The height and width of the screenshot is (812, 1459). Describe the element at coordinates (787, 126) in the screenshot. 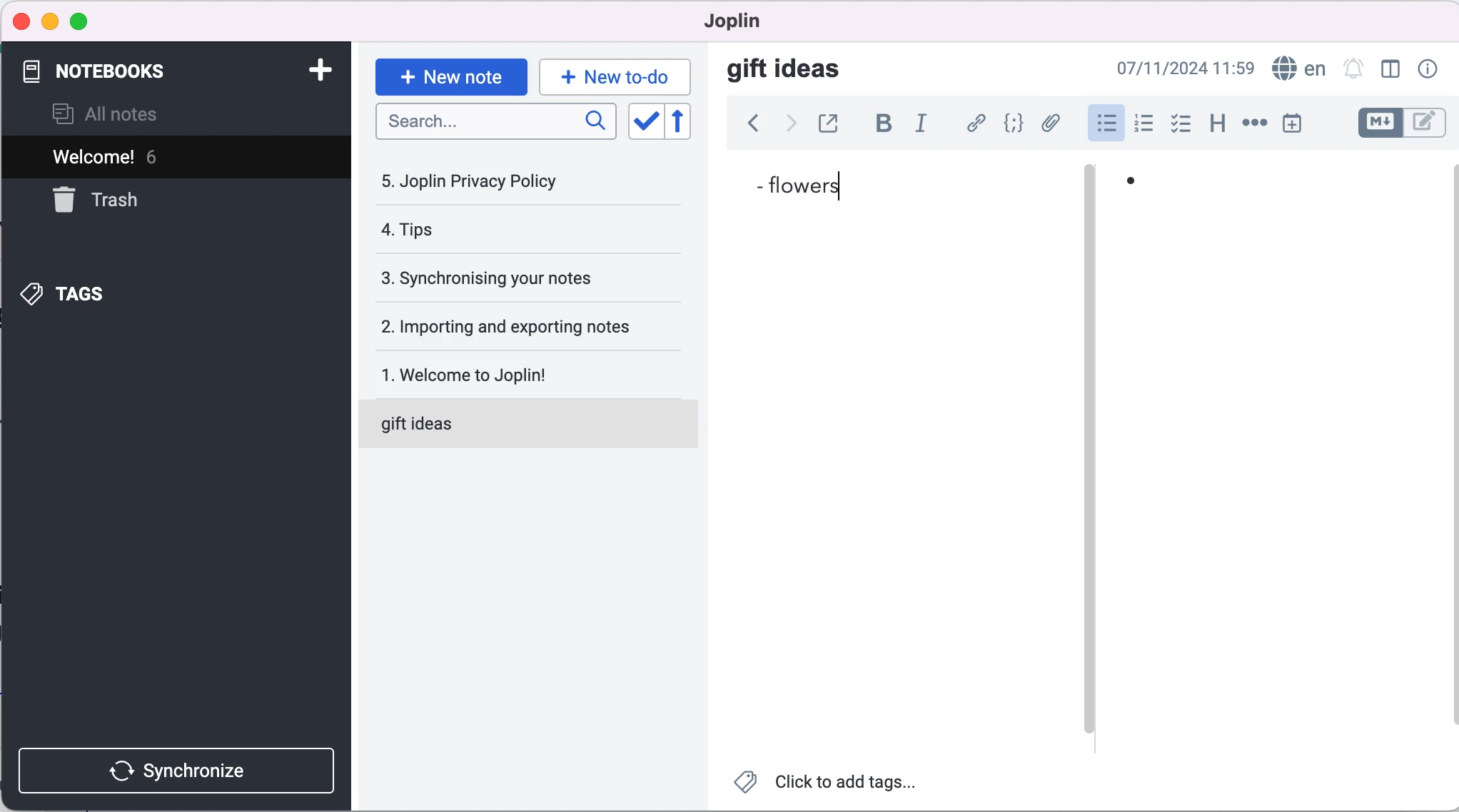

I see `forward` at that location.